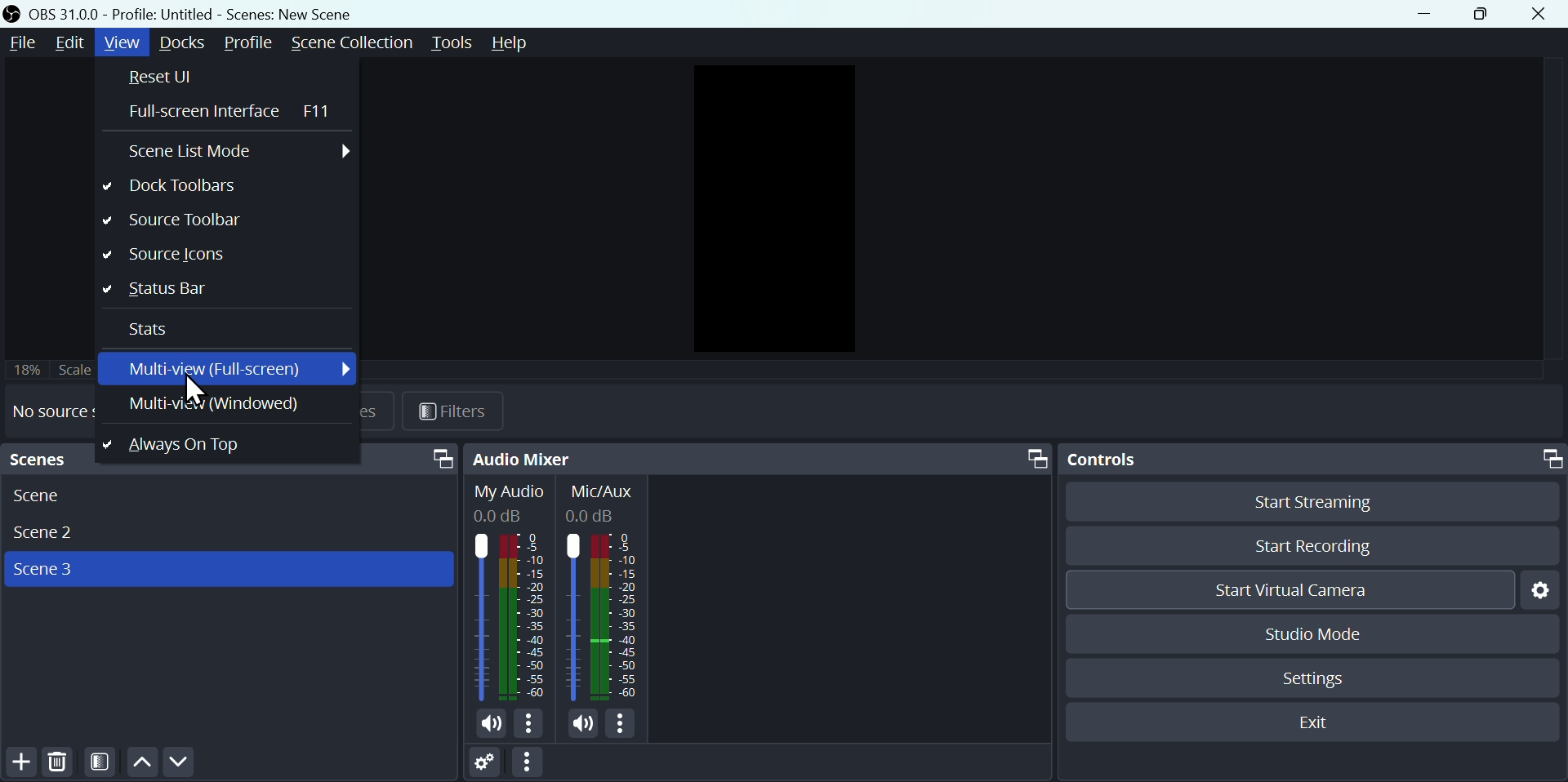 This screenshot has height=782, width=1568. I want to click on File, so click(20, 43).